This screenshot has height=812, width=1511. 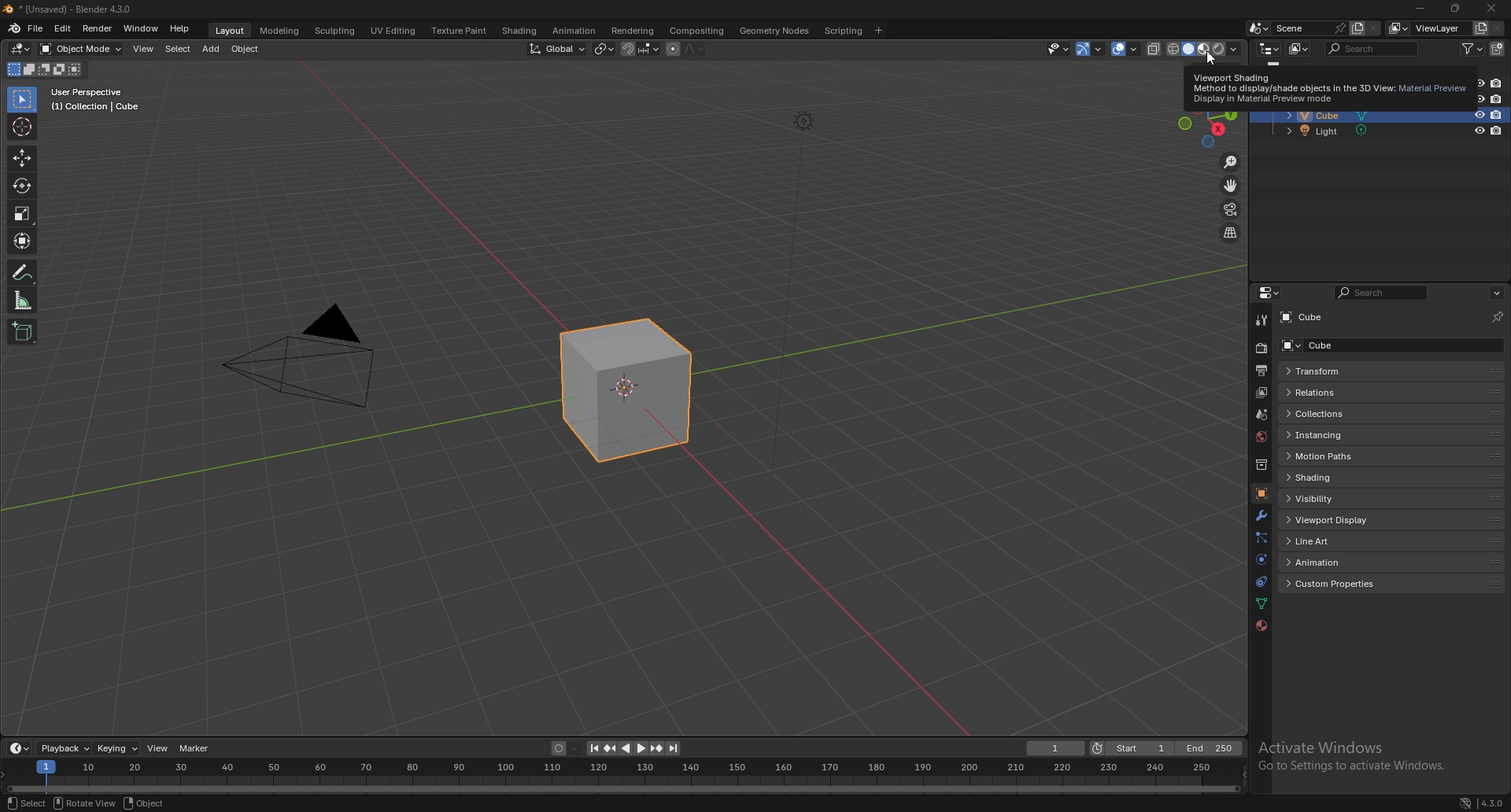 I want to click on hide in viewport, so click(x=1477, y=131).